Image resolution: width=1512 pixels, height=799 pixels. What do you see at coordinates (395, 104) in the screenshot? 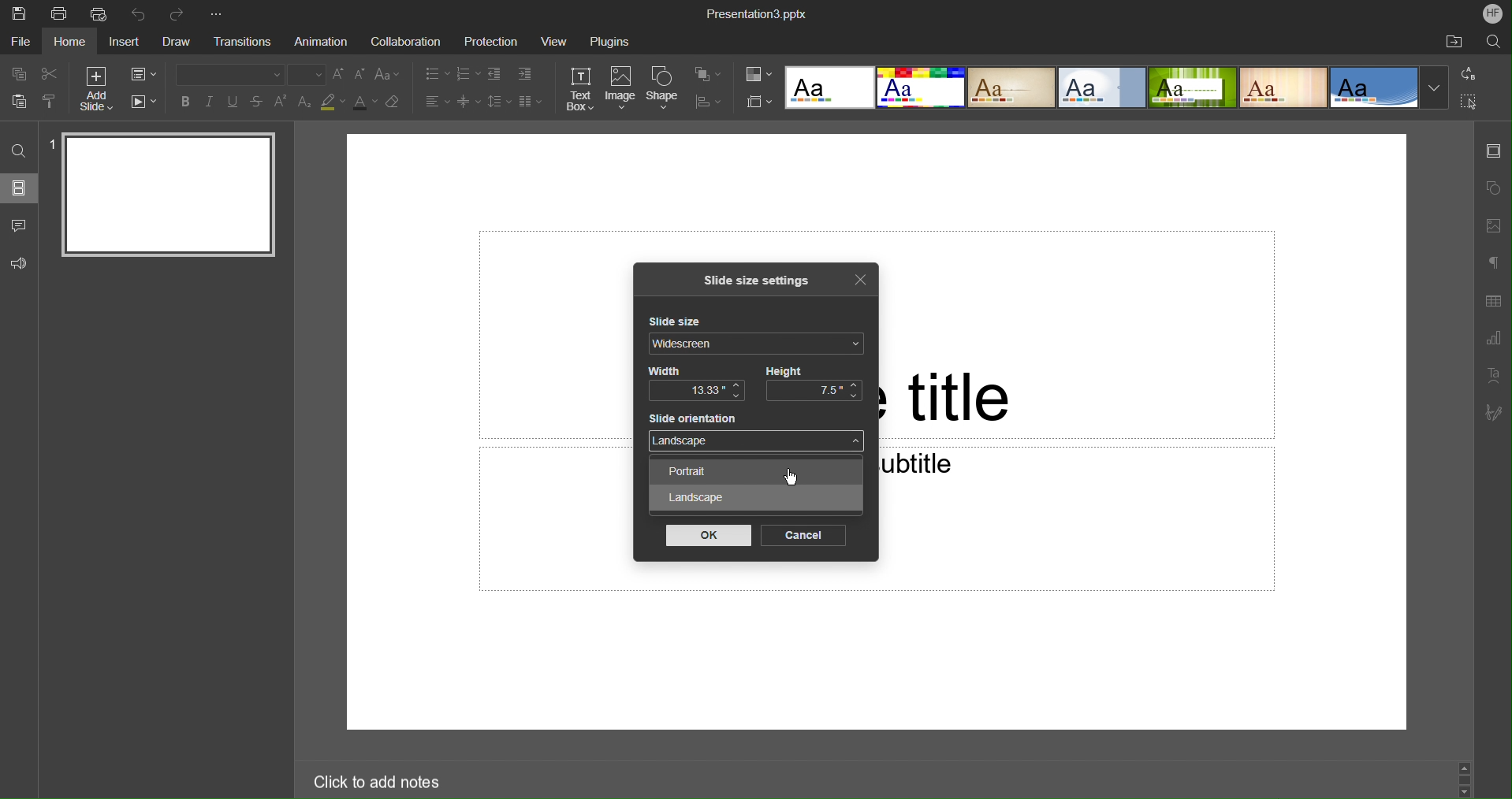
I see `Erase Style` at bounding box center [395, 104].